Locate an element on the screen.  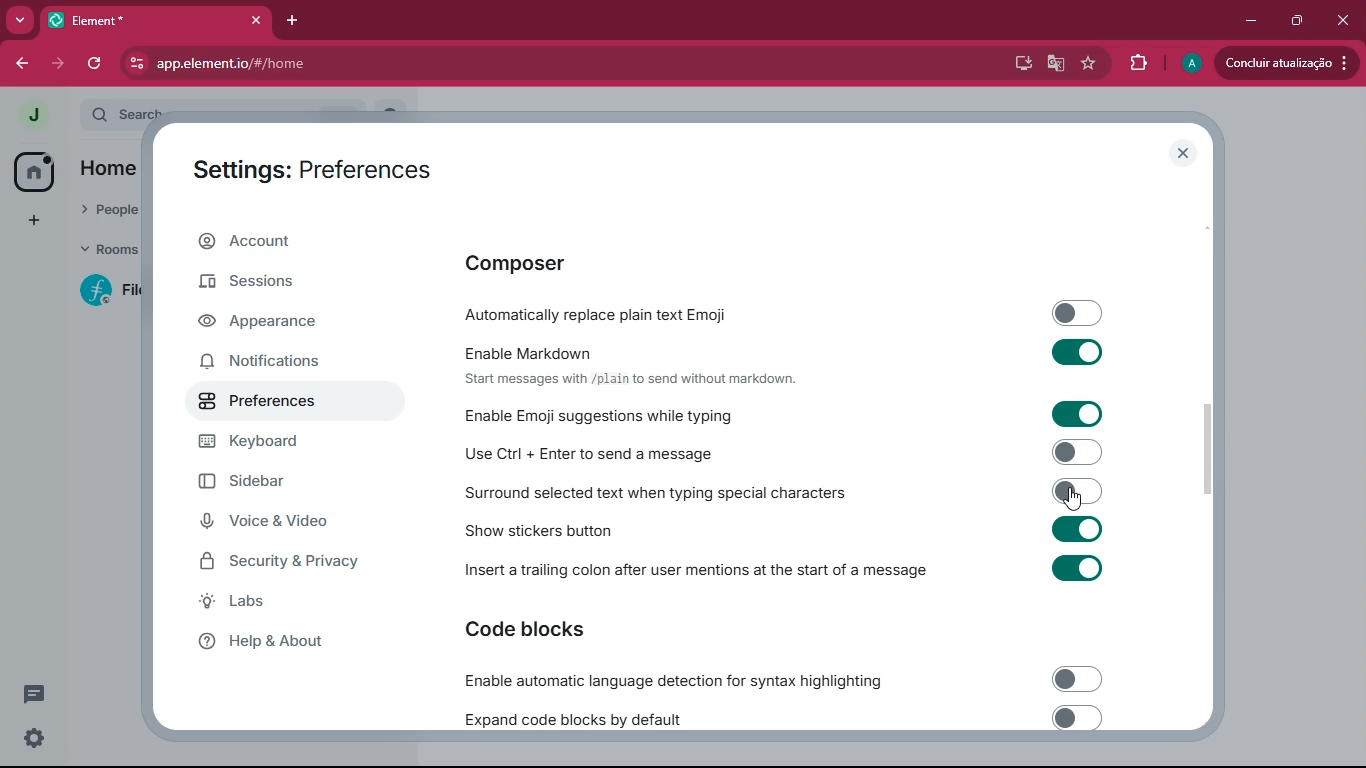
Settings: Preferences is located at coordinates (311, 166).